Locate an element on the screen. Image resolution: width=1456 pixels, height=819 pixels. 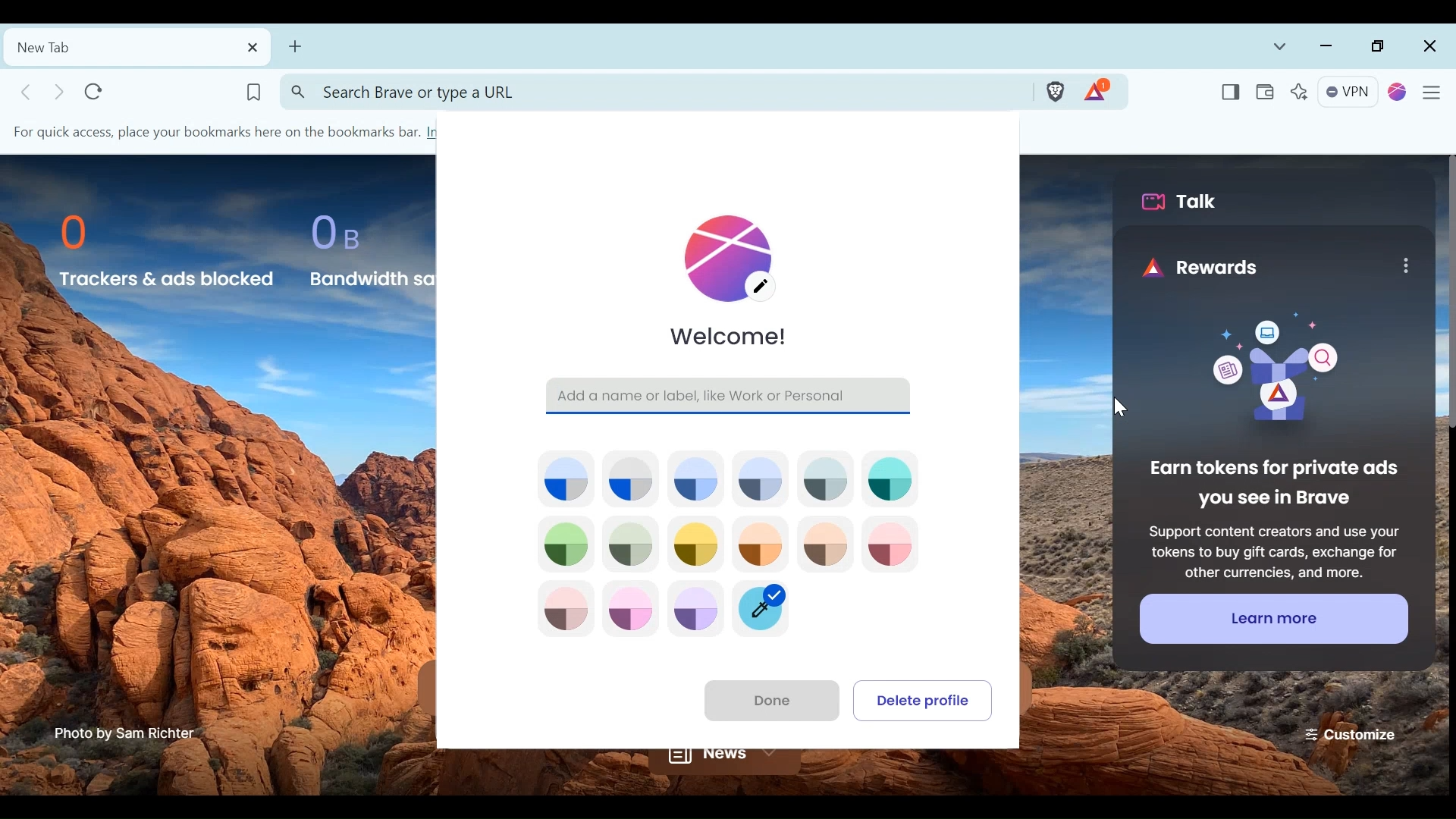
Customize and Control Brave is located at coordinates (1436, 95).